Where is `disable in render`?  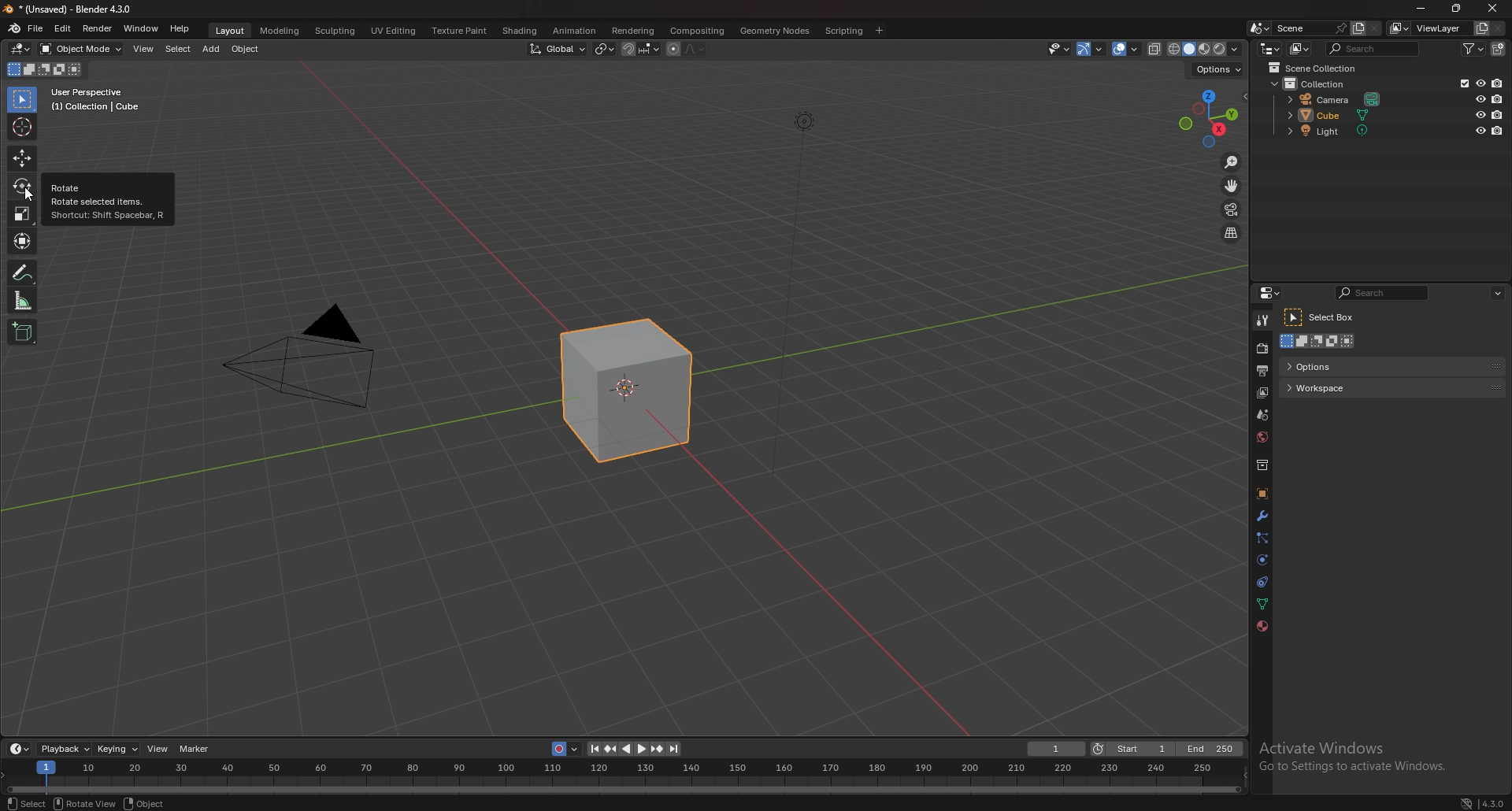
disable in render is located at coordinates (1497, 115).